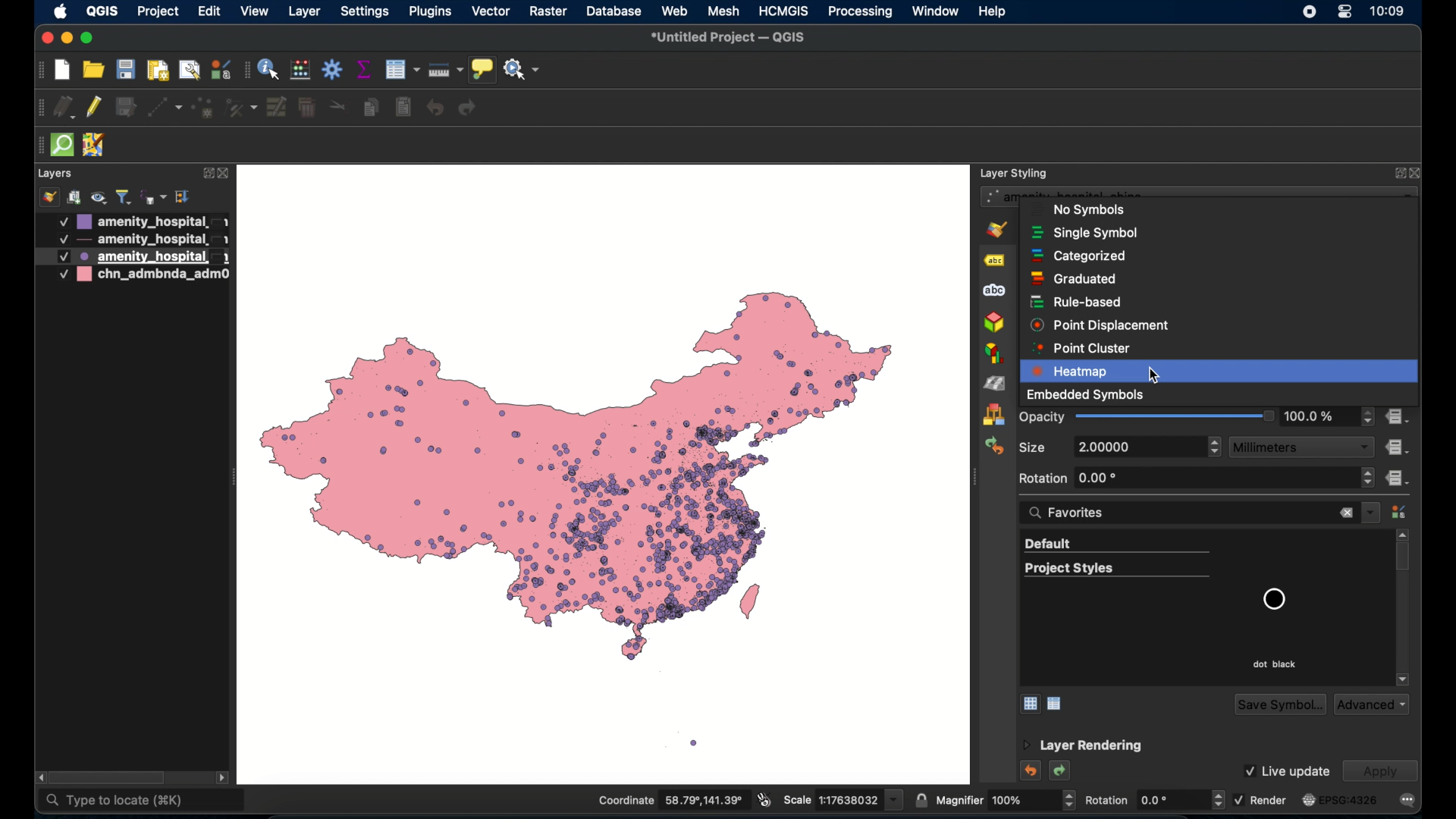 This screenshot has width=1456, height=819. Describe the element at coordinates (1015, 172) in the screenshot. I see `layer styling` at that location.